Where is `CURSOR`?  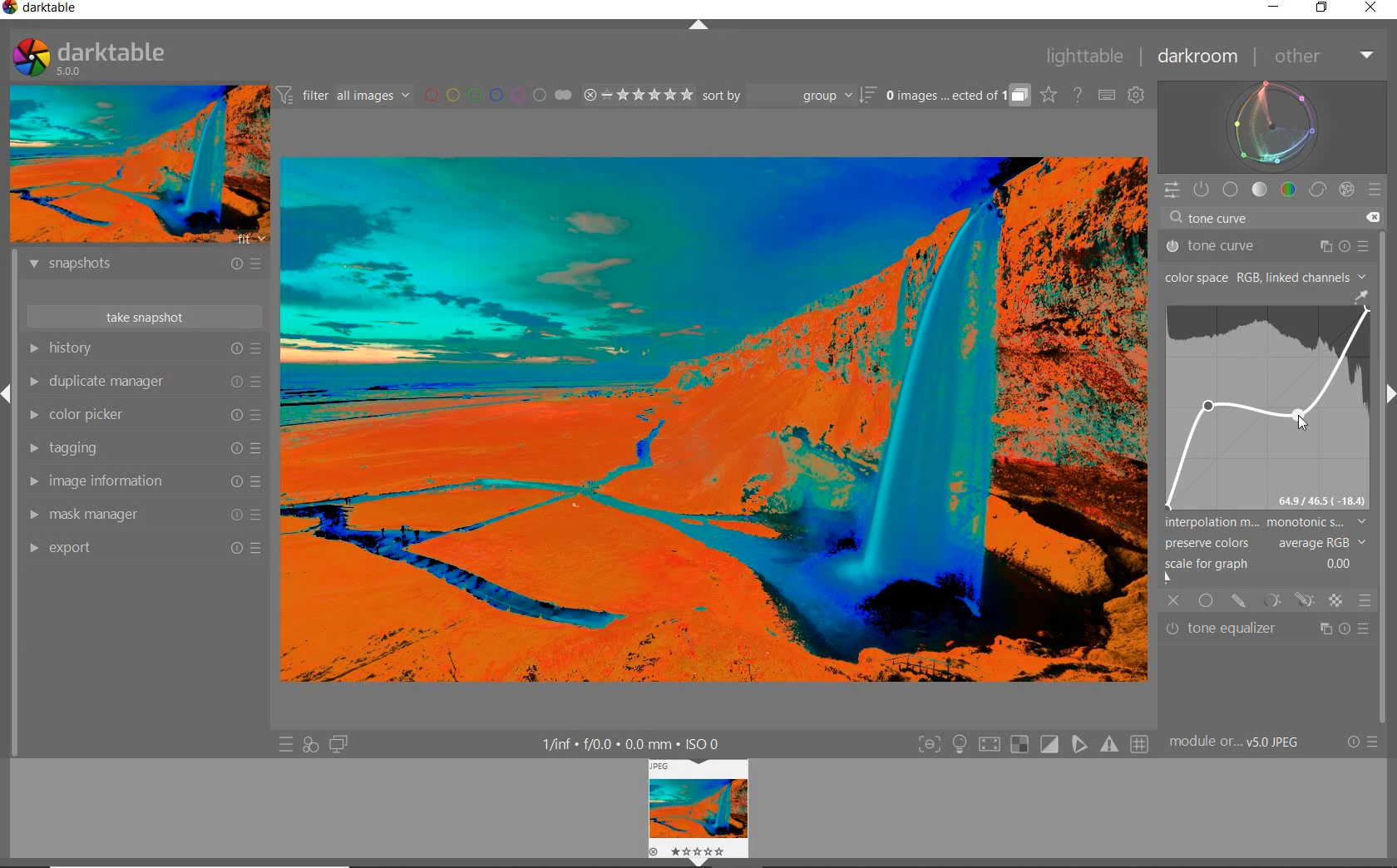
CURSOR is located at coordinates (1211, 407).